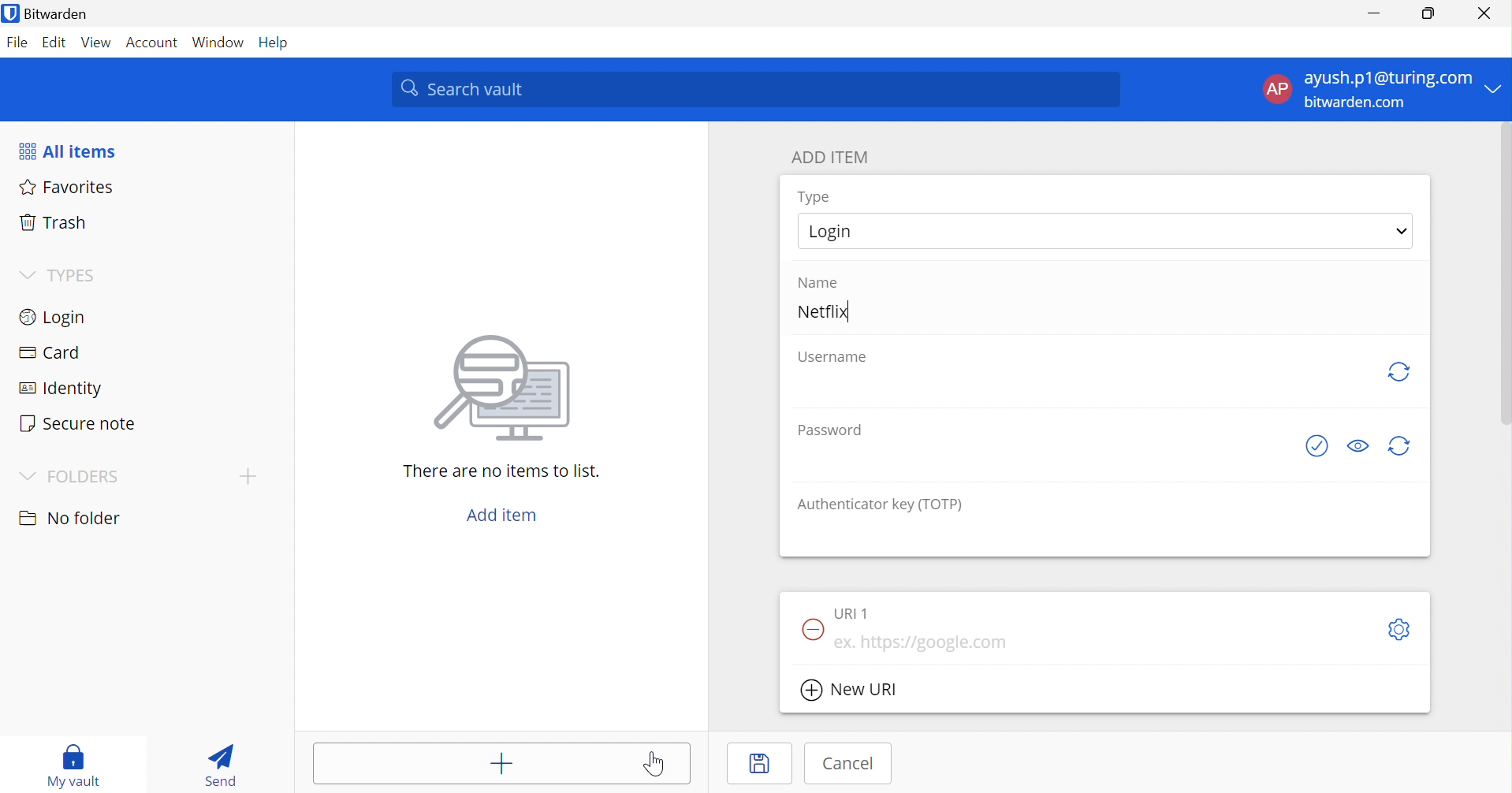 The image size is (1512, 793). What do you see at coordinates (813, 196) in the screenshot?
I see `Type` at bounding box center [813, 196].